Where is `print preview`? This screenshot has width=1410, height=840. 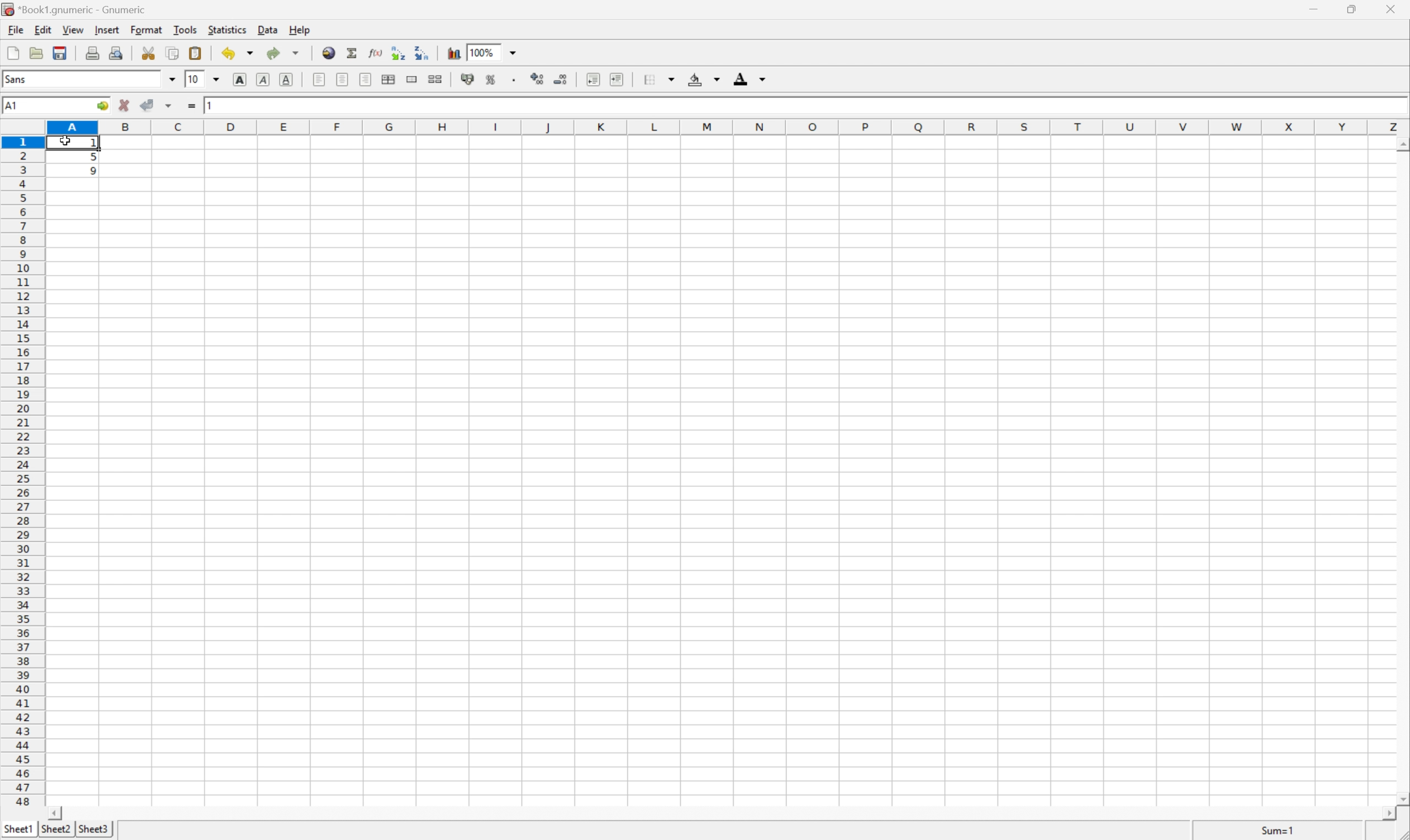
print preview is located at coordinates (116, 52).